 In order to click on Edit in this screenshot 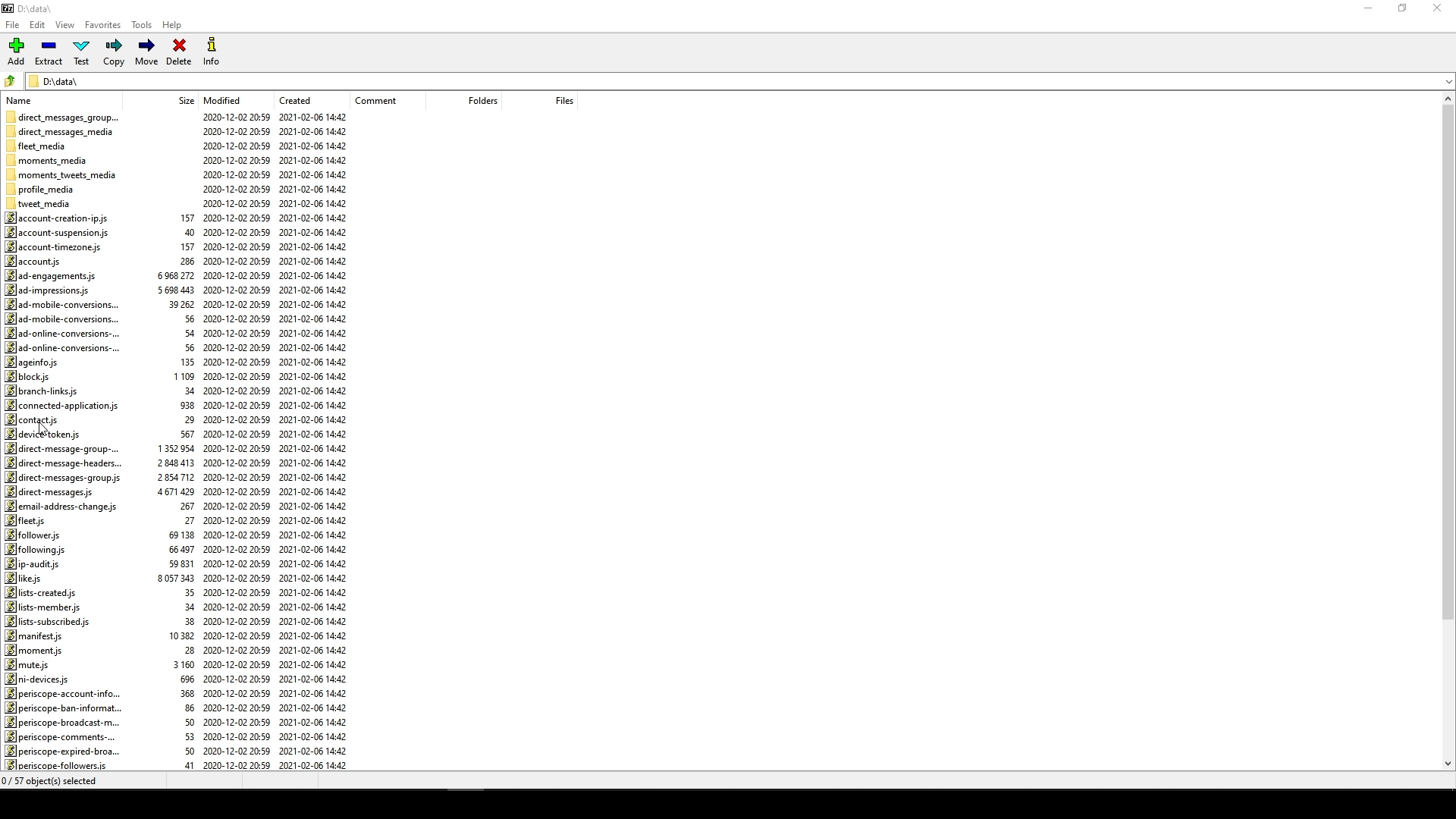, I will do `click(37, 24)`.